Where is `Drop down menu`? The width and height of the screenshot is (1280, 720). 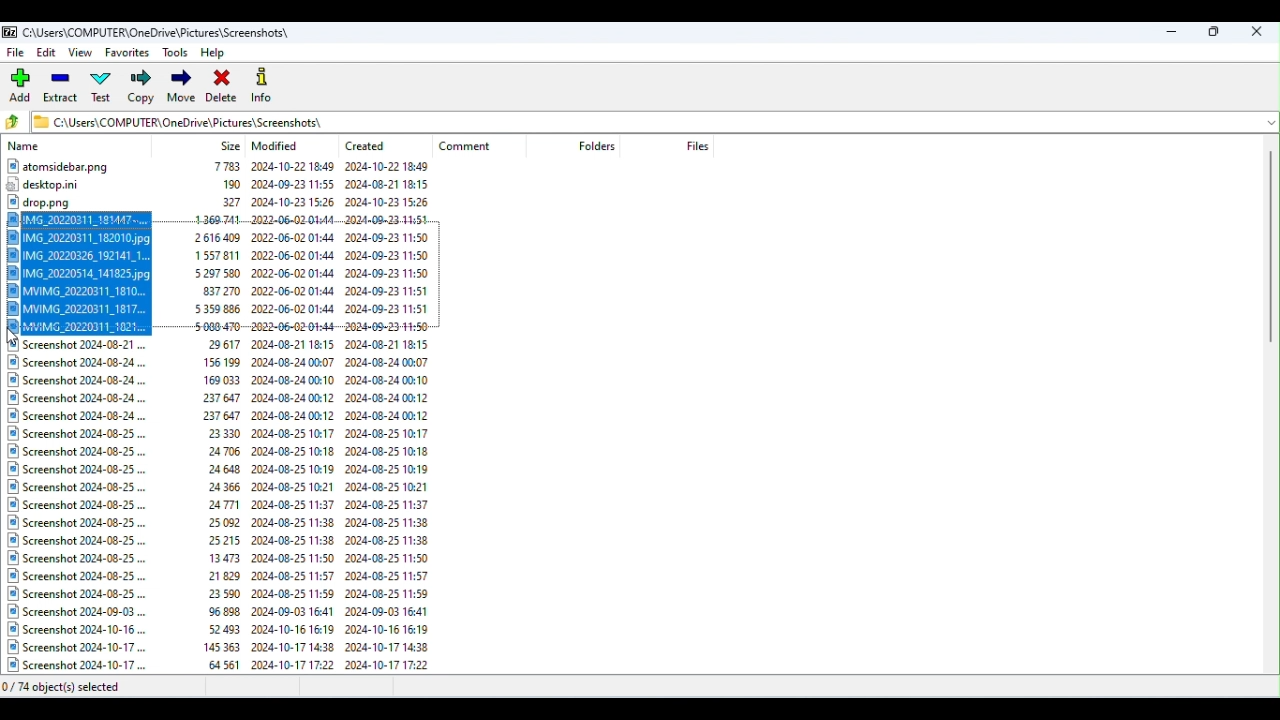
Drop down menu is located at coordinates (1269, 121).